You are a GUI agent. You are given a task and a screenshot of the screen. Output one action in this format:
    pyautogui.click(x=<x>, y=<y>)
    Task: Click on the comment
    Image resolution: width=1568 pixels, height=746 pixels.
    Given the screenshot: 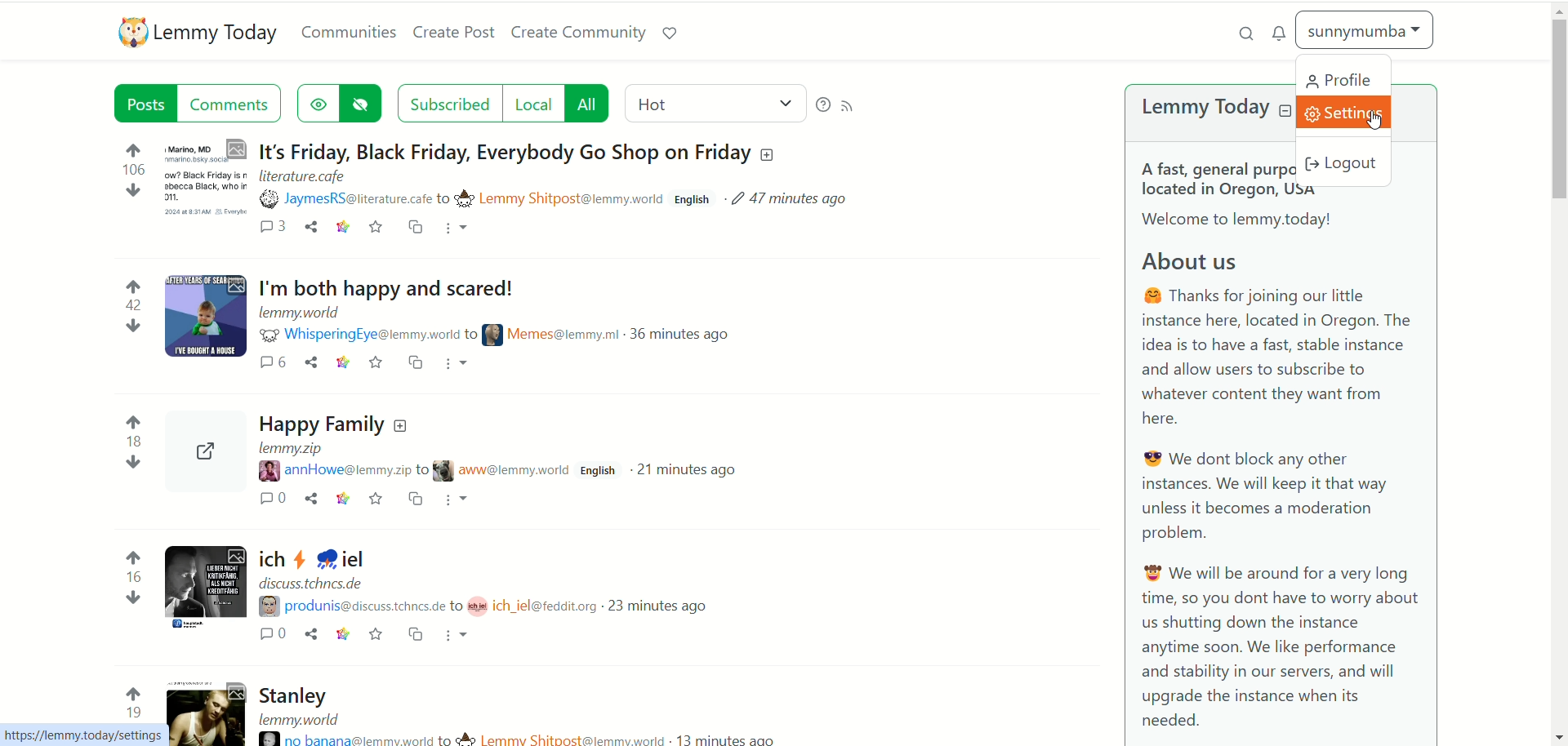 What is the action you would take?
    pyautogui.click(x=233, y=104)
    